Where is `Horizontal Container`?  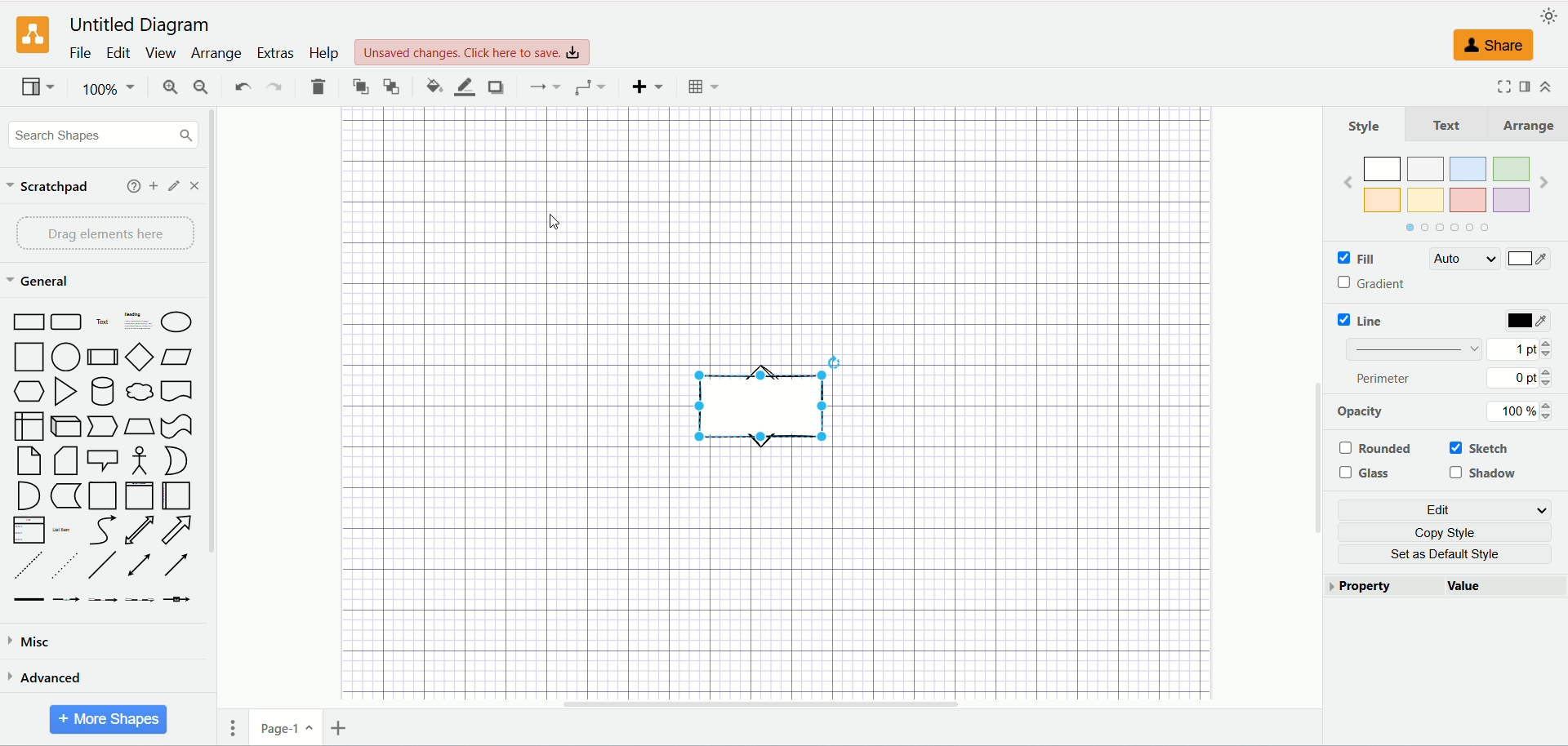 Horizontal Container is located at coordinates (180, 495).